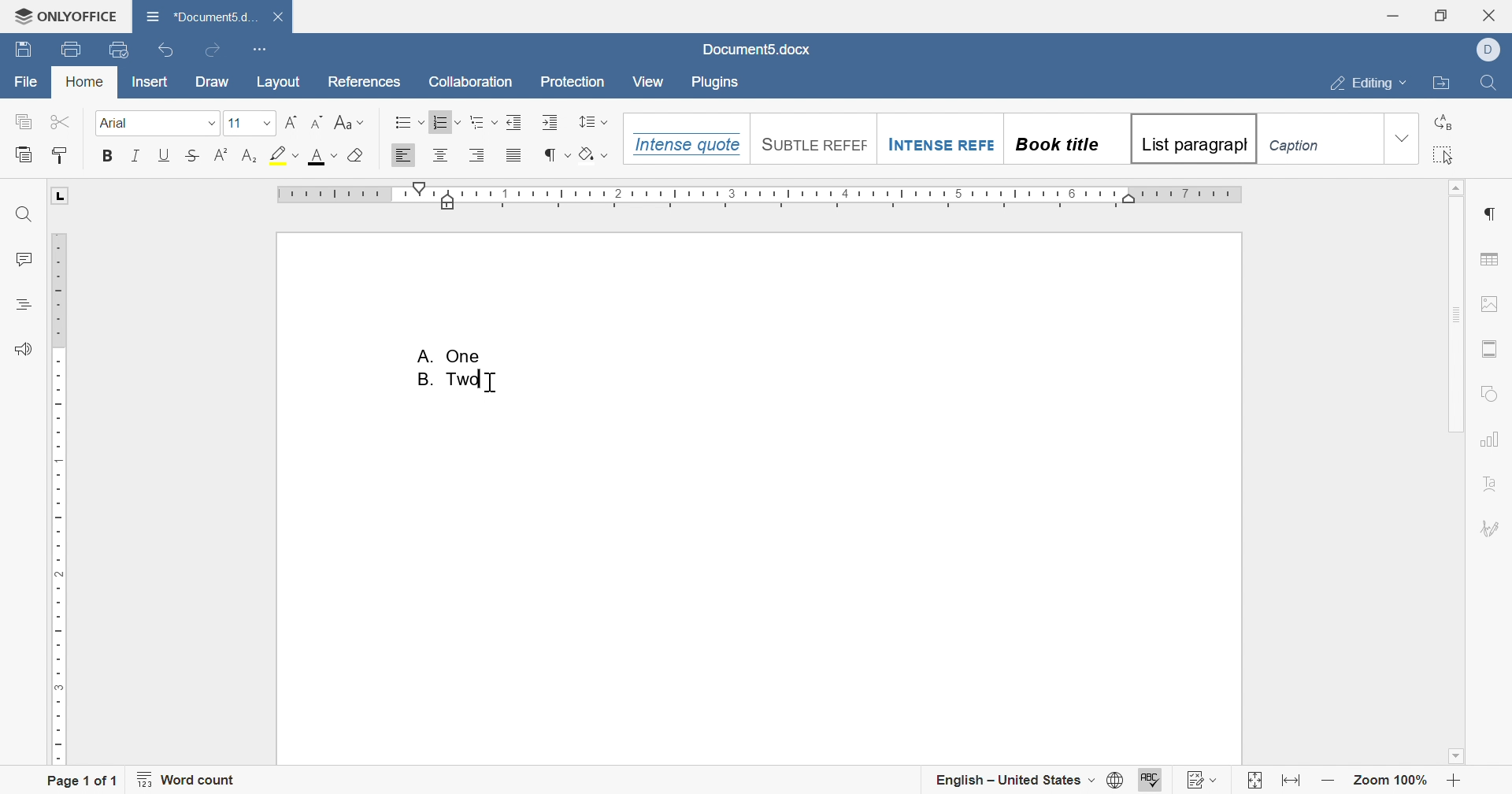 The width and height of the screenshot is (1512, 794). I want to click on Numbering, so click(447, 121).